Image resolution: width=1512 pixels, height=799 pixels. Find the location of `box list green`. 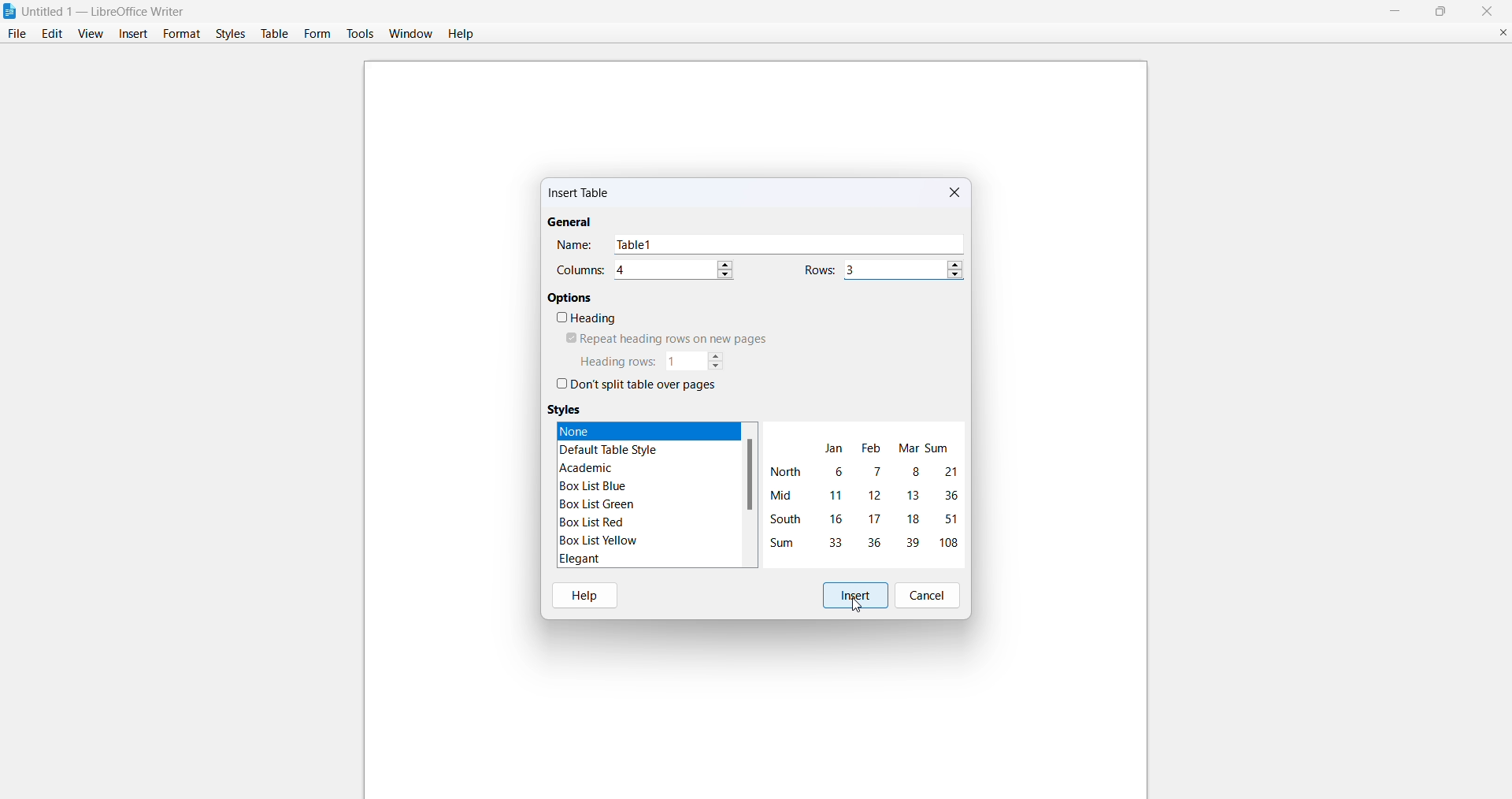

box list green is located at coordinates (598, 504).